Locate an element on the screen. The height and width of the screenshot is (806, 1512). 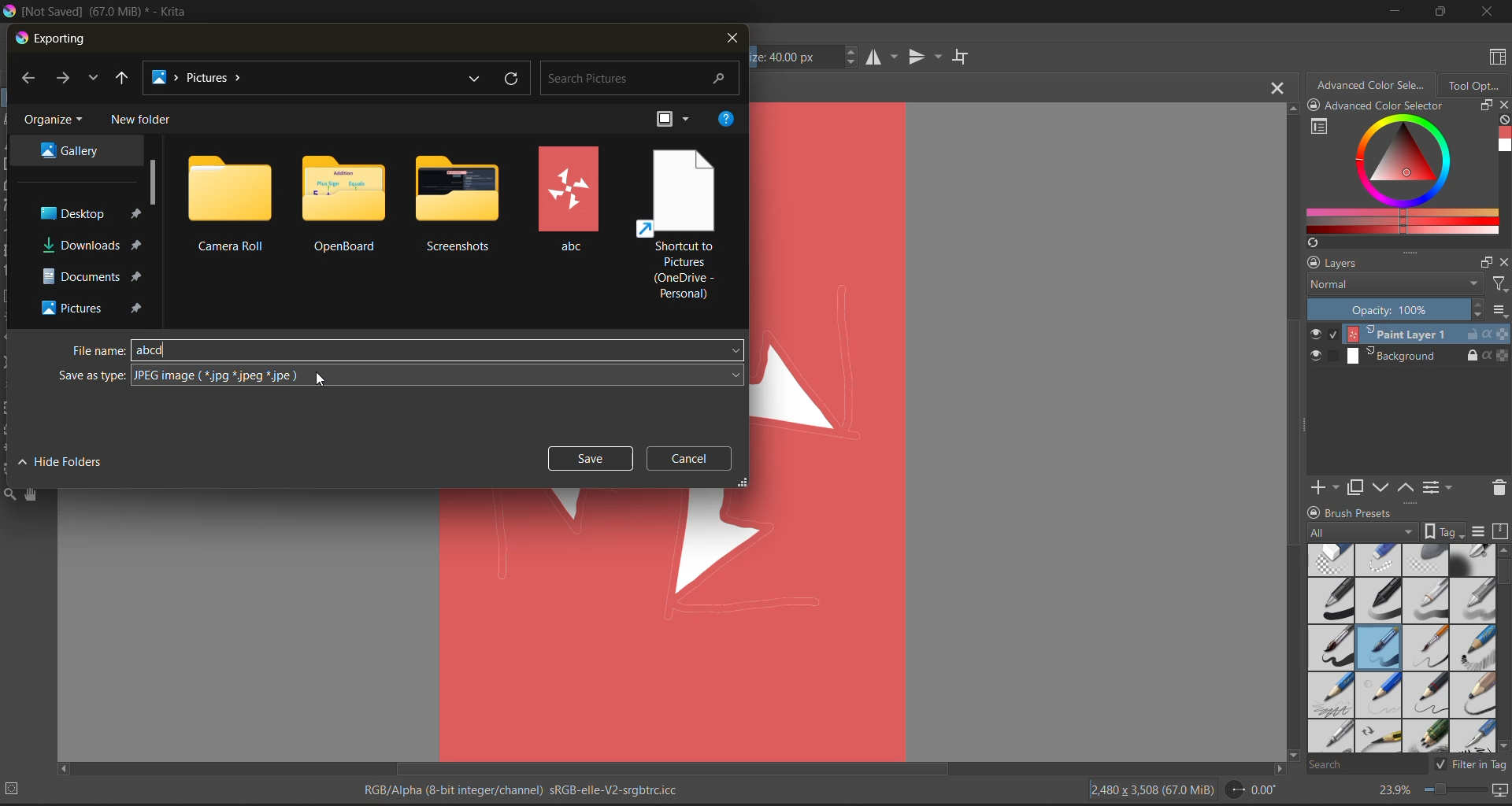
file name is located at coordinates (435, 348).